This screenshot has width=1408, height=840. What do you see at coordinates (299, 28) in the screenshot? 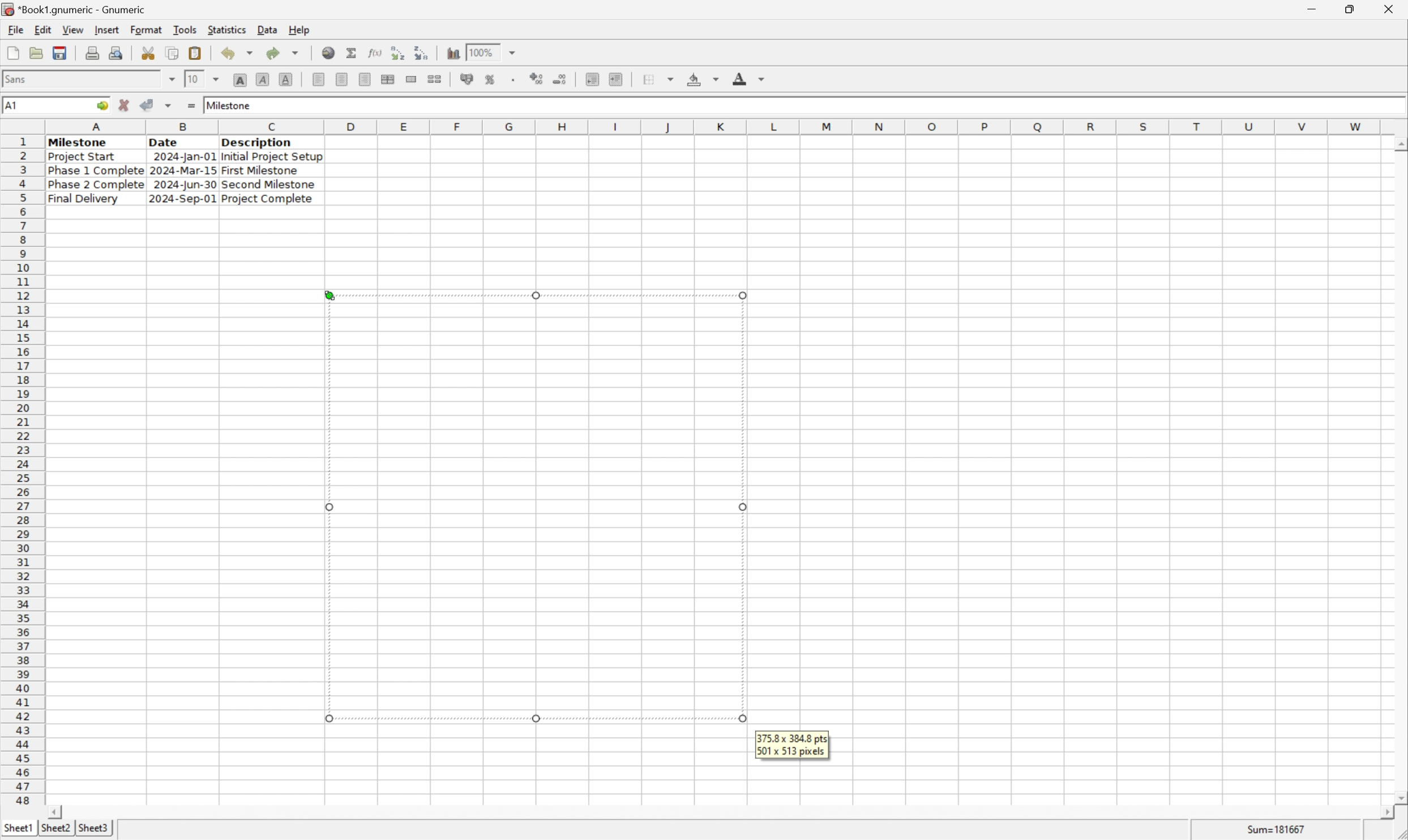
I see `help` at bounding box center [299, 28].